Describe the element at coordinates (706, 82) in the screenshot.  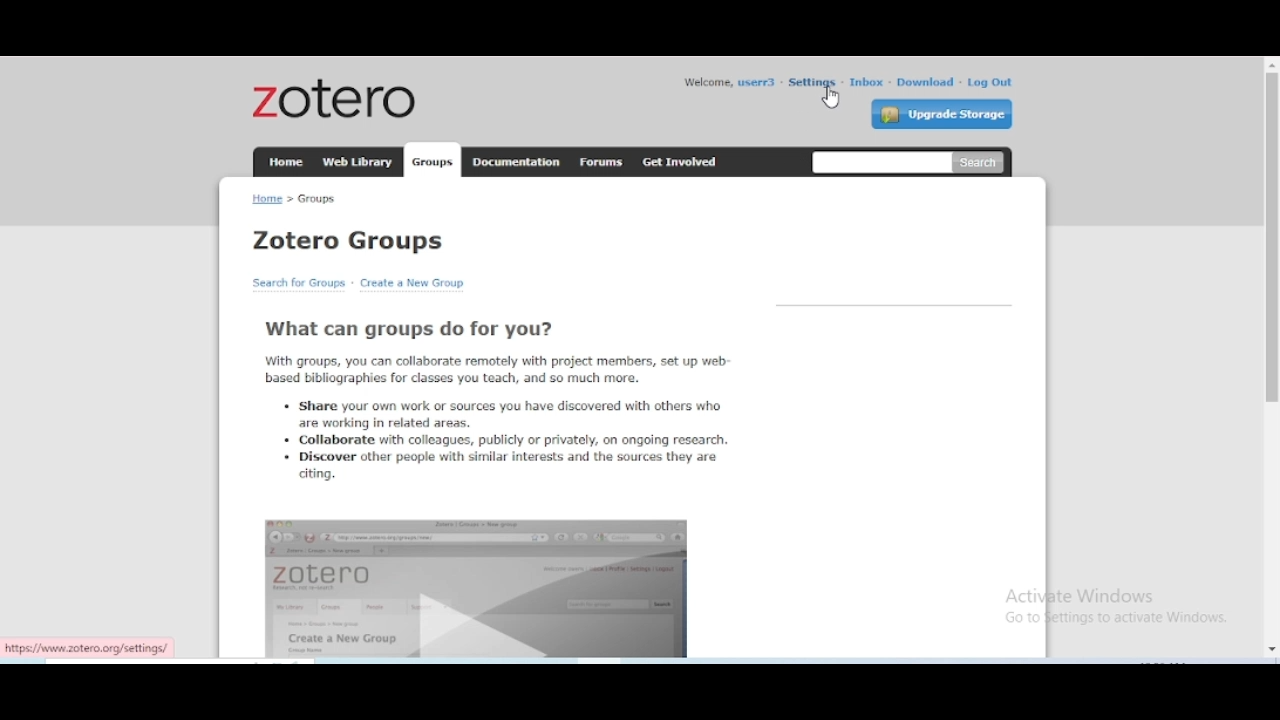
I see `welcome` at that location.